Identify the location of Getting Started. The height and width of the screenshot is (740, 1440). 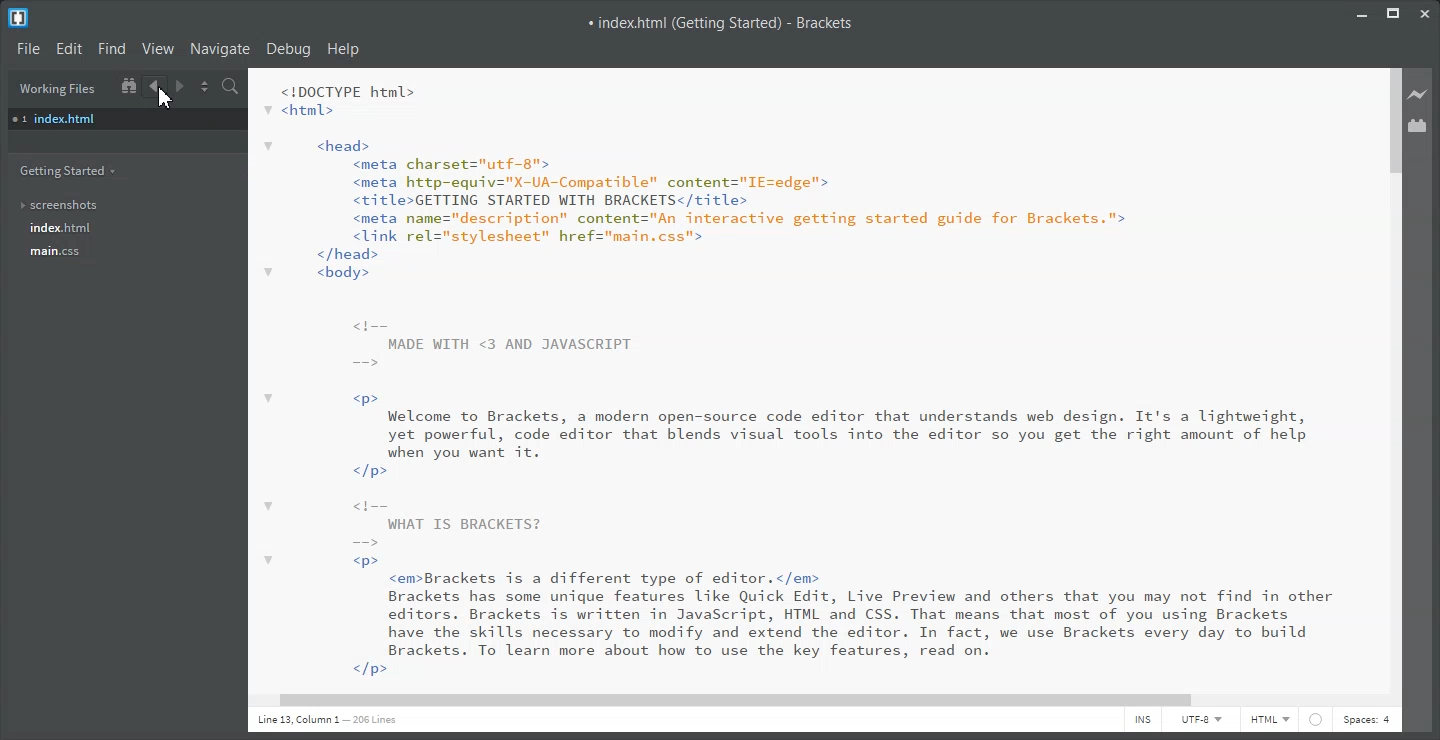
(76, 170).